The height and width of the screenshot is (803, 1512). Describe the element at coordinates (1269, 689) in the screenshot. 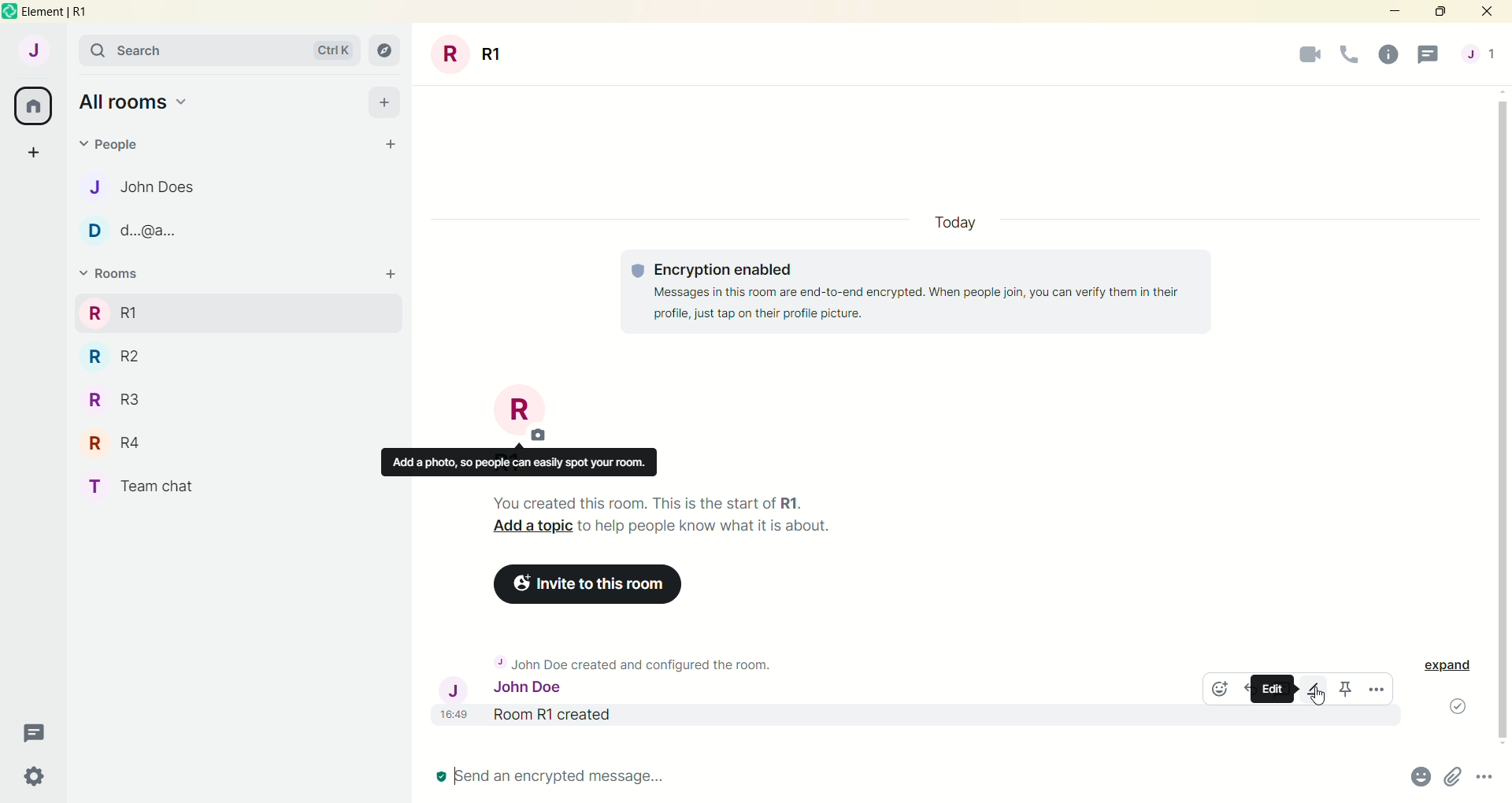

I see `edit` at that location.